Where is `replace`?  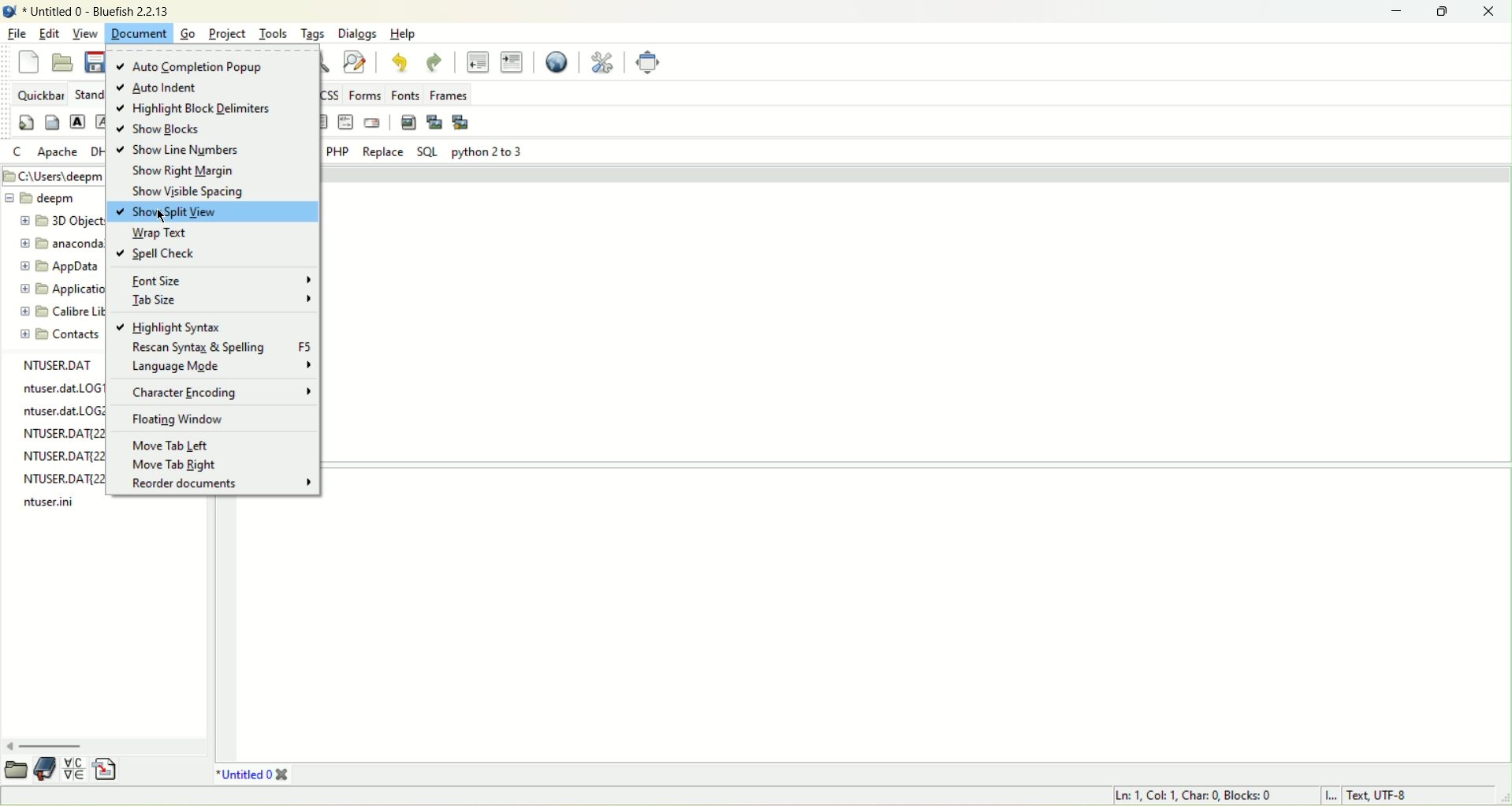
replace is located at coordinates (383, 151).